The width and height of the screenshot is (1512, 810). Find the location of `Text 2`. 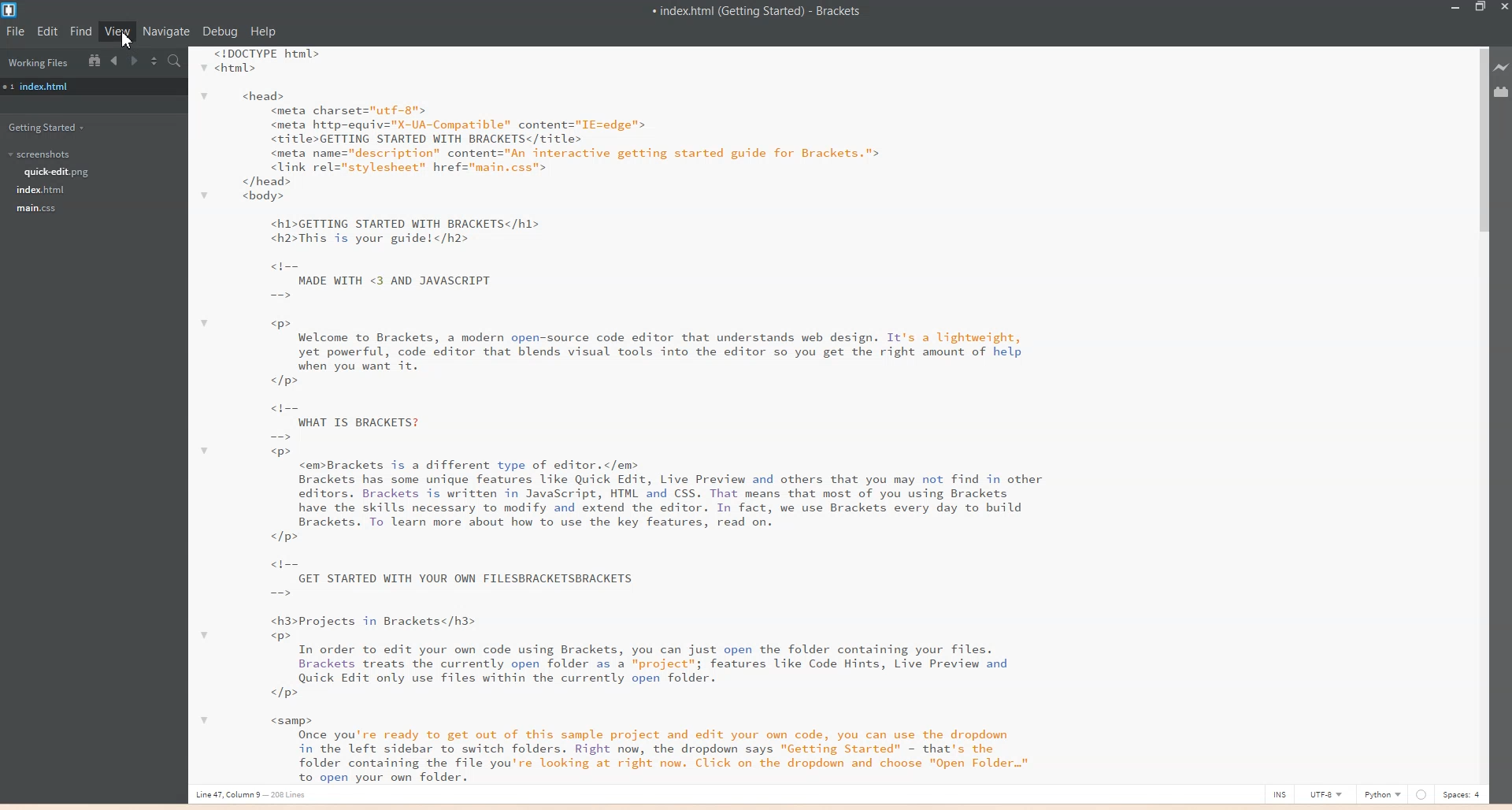

Text 2 is located at coordinates (637, 414).